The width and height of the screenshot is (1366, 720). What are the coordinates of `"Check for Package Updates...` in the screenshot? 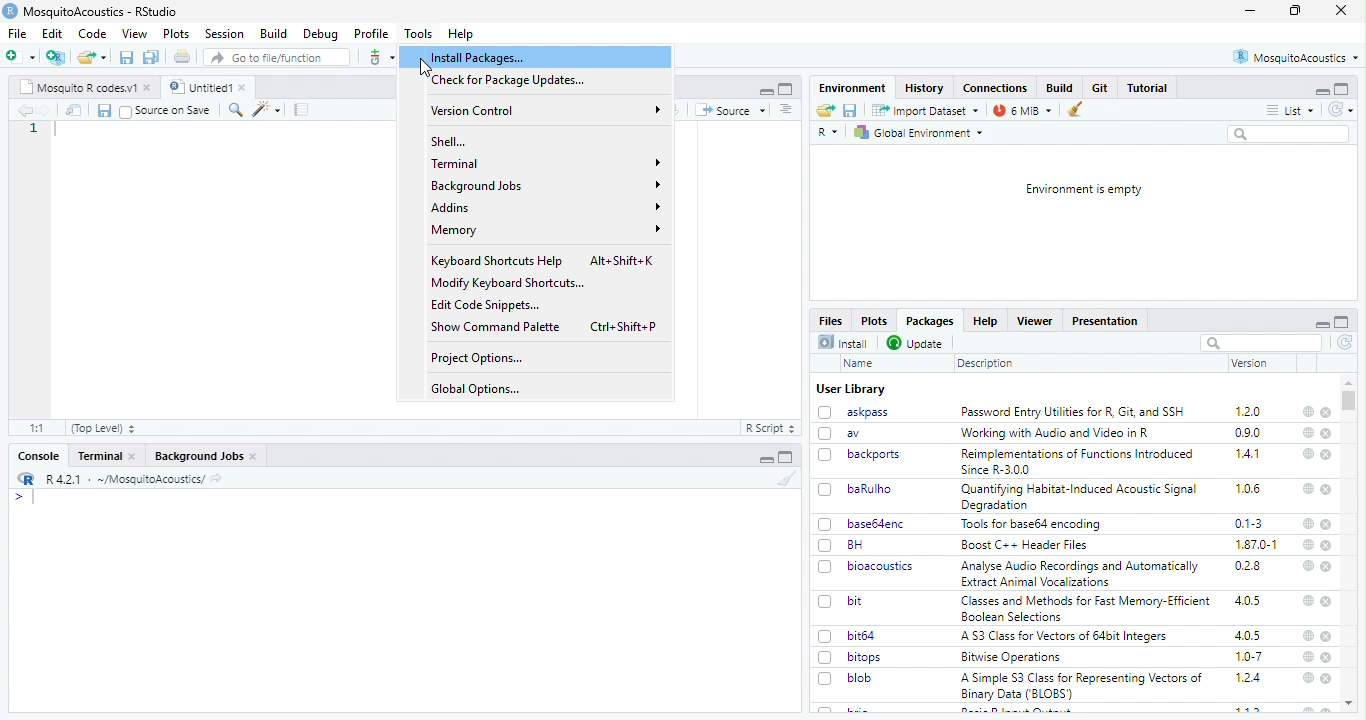 It's located at (513, 81).